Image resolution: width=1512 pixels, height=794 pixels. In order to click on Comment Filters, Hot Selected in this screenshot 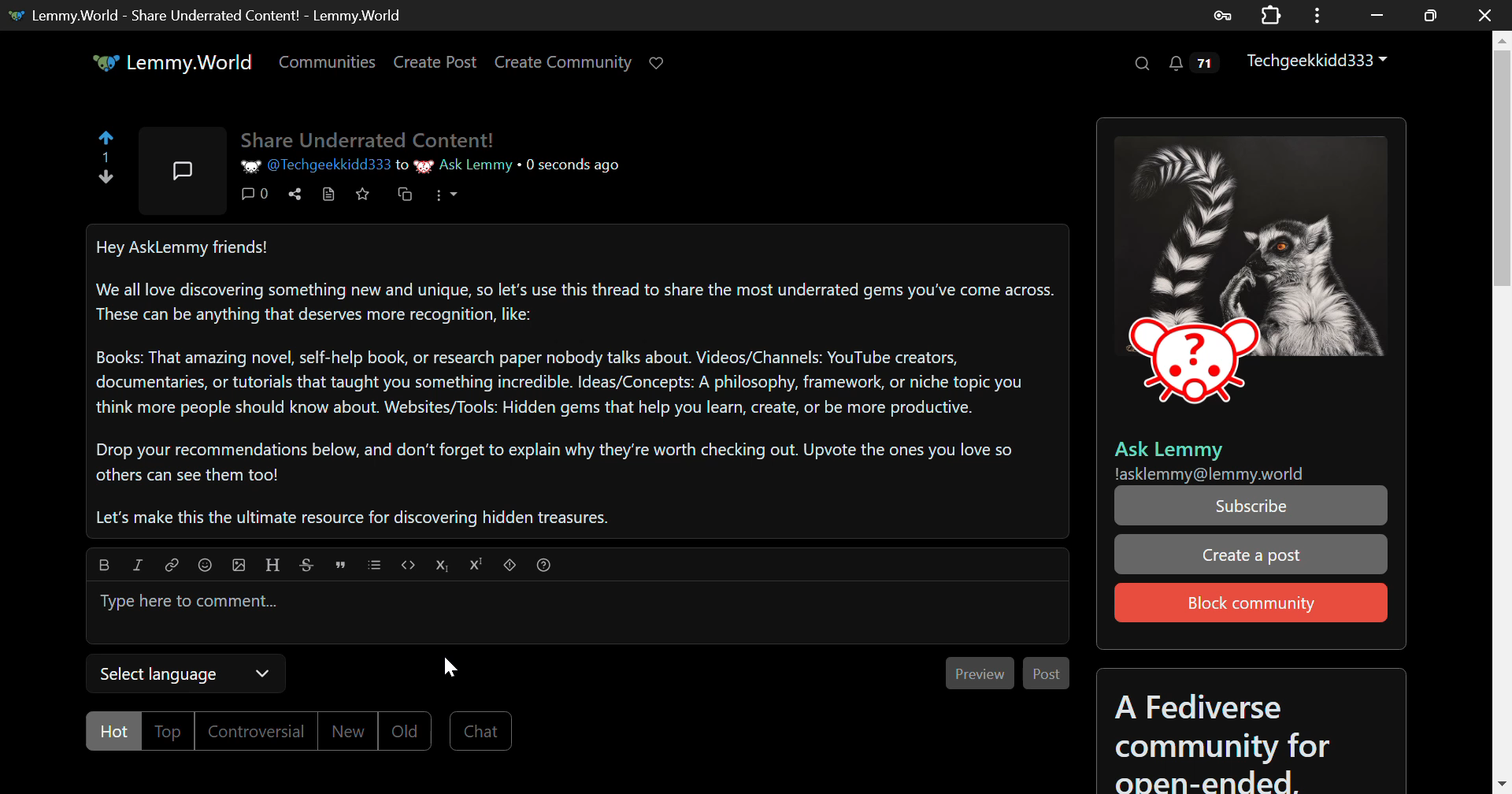, I will do `click(250, 730)`.